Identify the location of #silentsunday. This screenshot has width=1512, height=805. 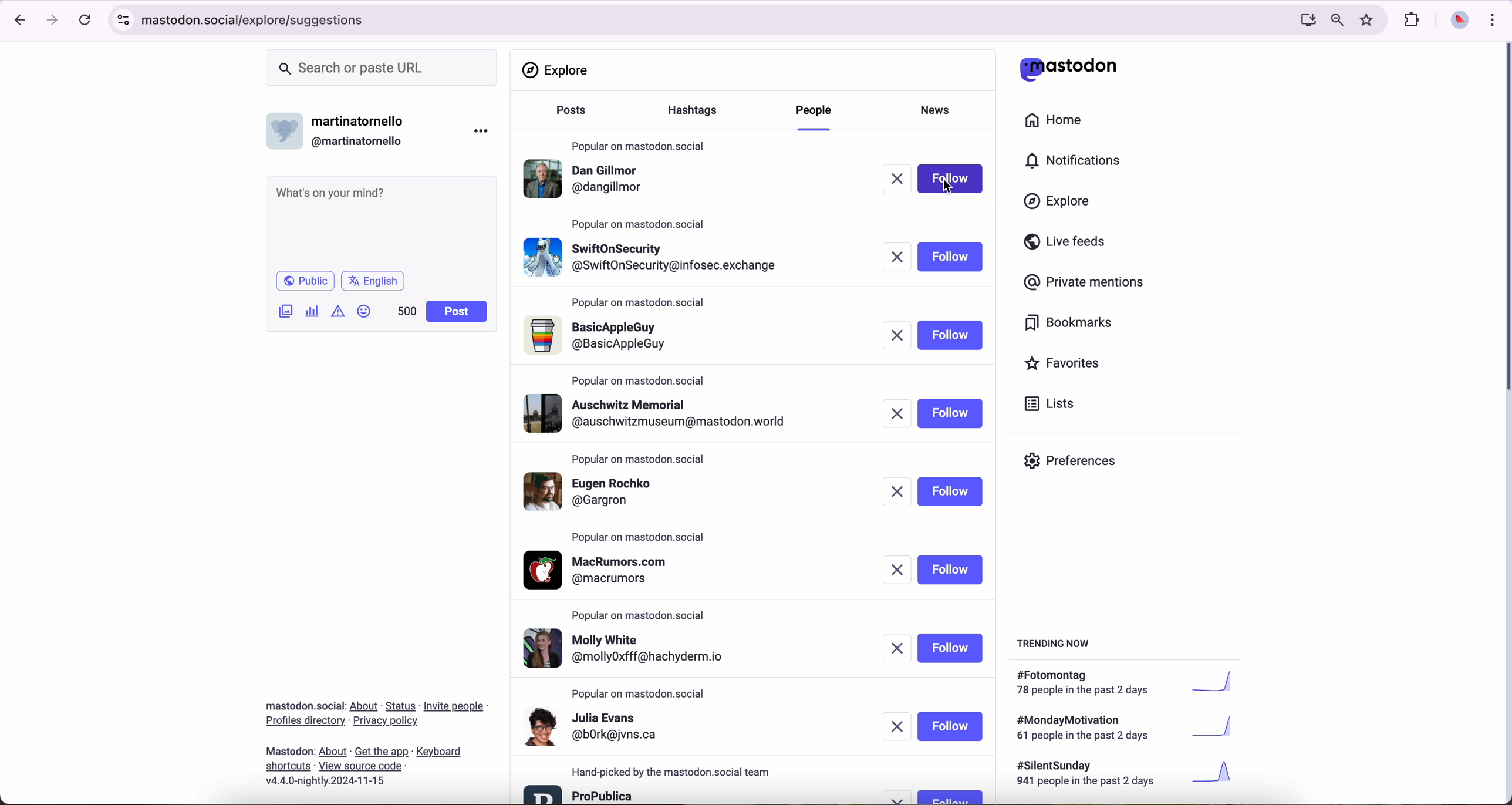
(1128, 775).